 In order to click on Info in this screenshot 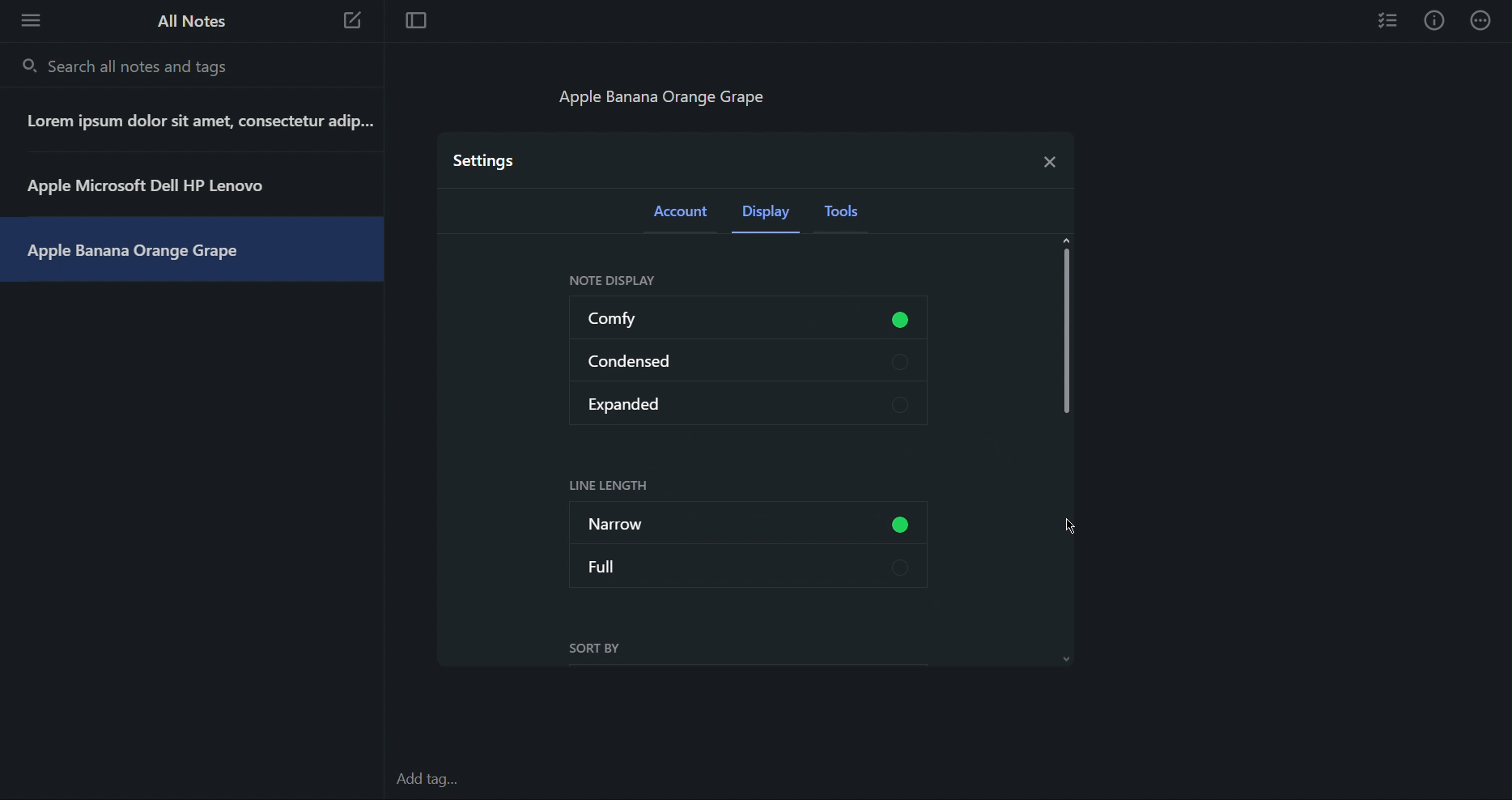, I will do `click(1434, 20)`.